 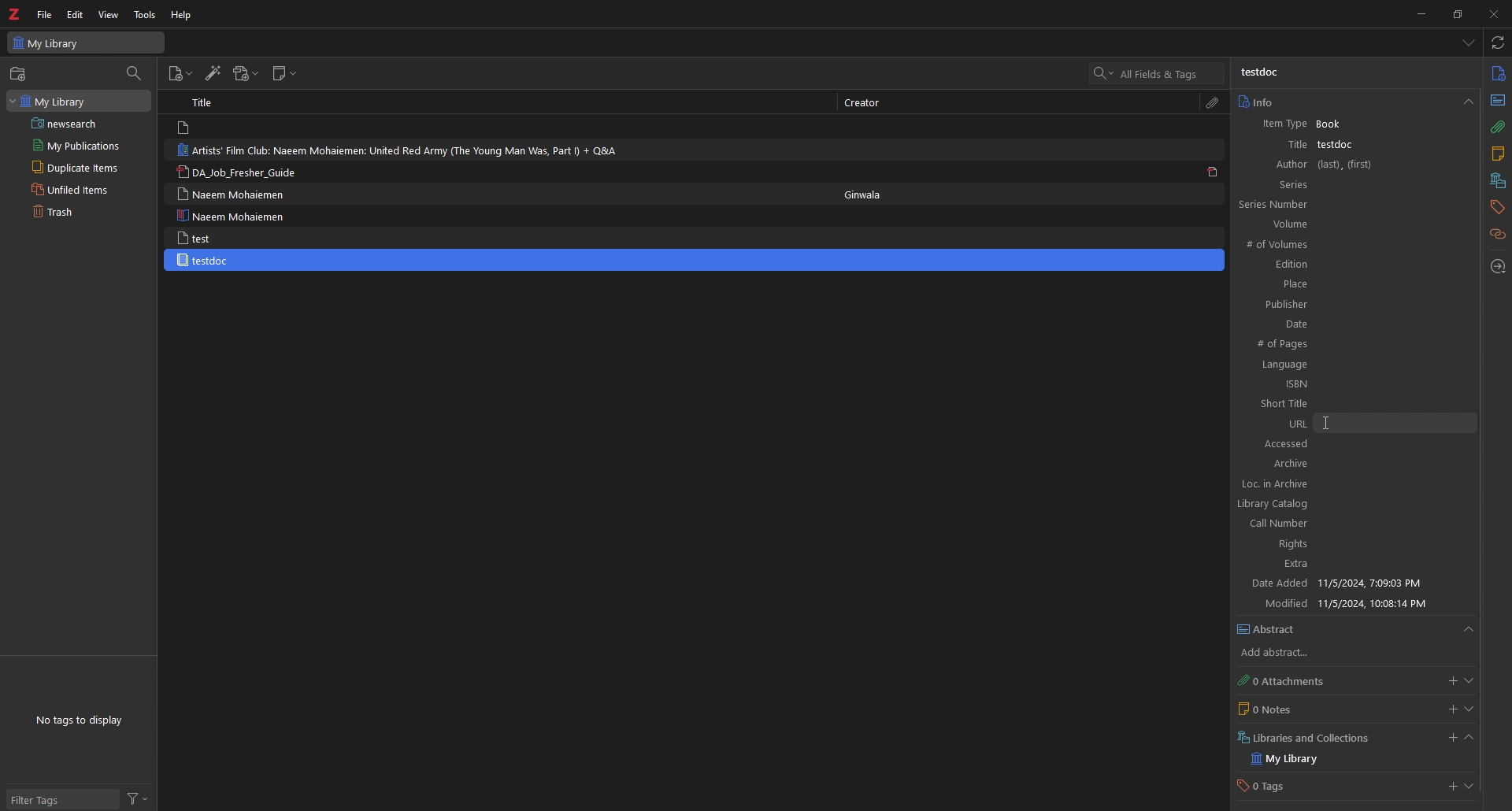 What do you see at coordinates (1350, 584) in the screenshot?
I see `Date Added 11/5/2024, 7:09:03 PM` at bounding box center [1350, 584].